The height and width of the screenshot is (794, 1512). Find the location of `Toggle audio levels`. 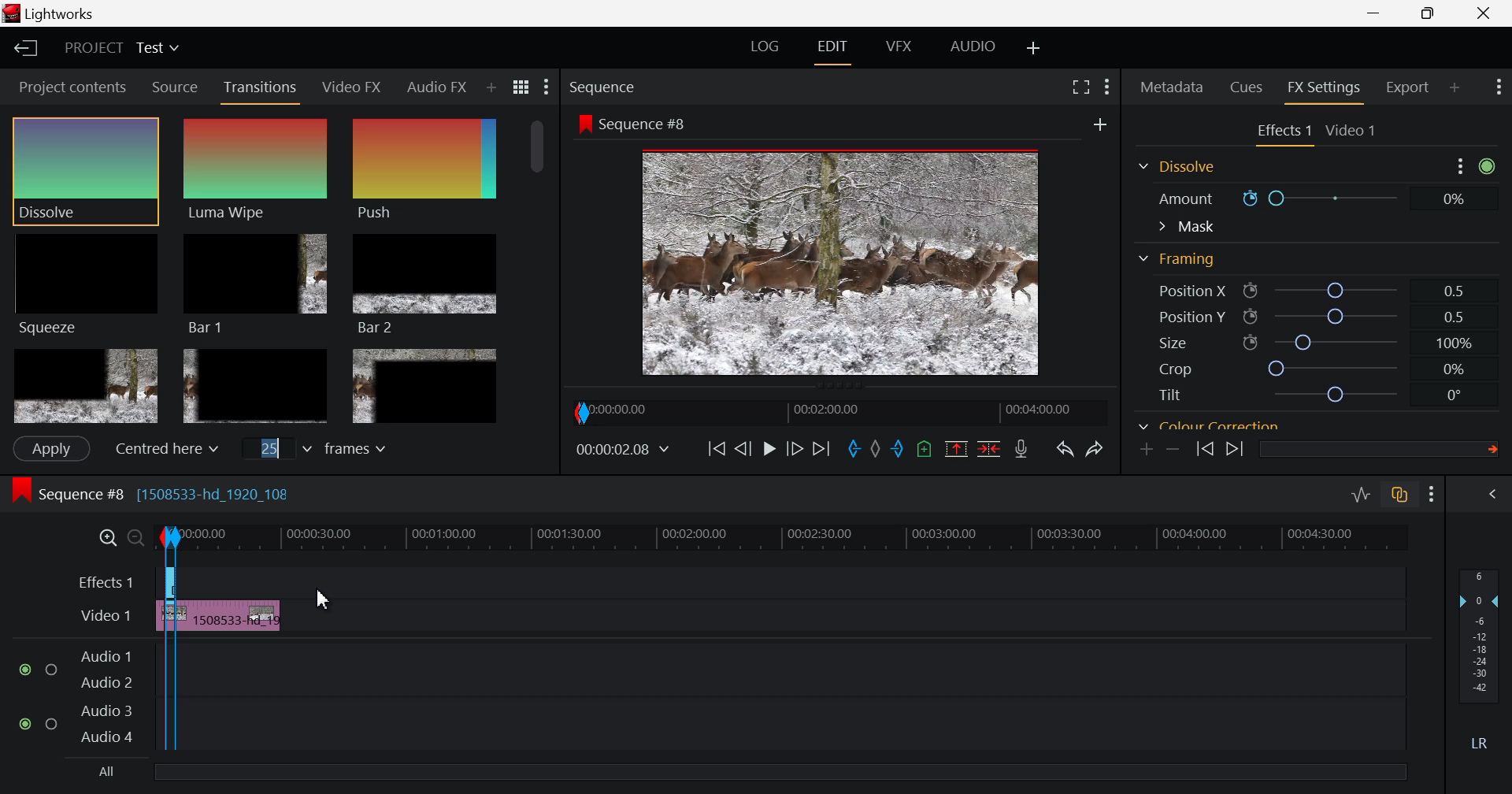

Toggle audio levels is located at coordinates (1361, 495).